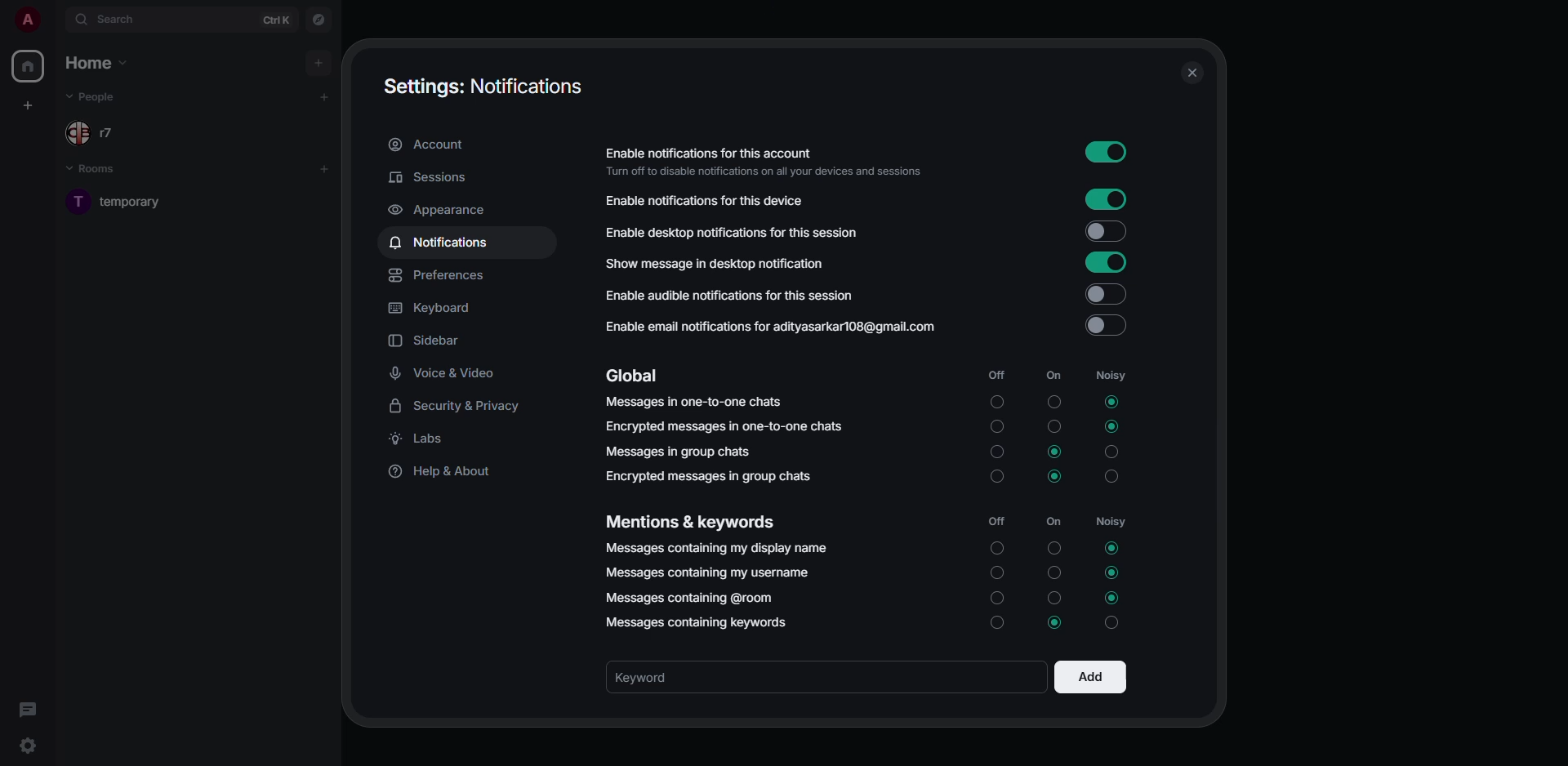 The height and width of the screenshot is (766, 1568). Describe the element at coordinates (996, 400) in the screenshot. I see `turn on` at that location.